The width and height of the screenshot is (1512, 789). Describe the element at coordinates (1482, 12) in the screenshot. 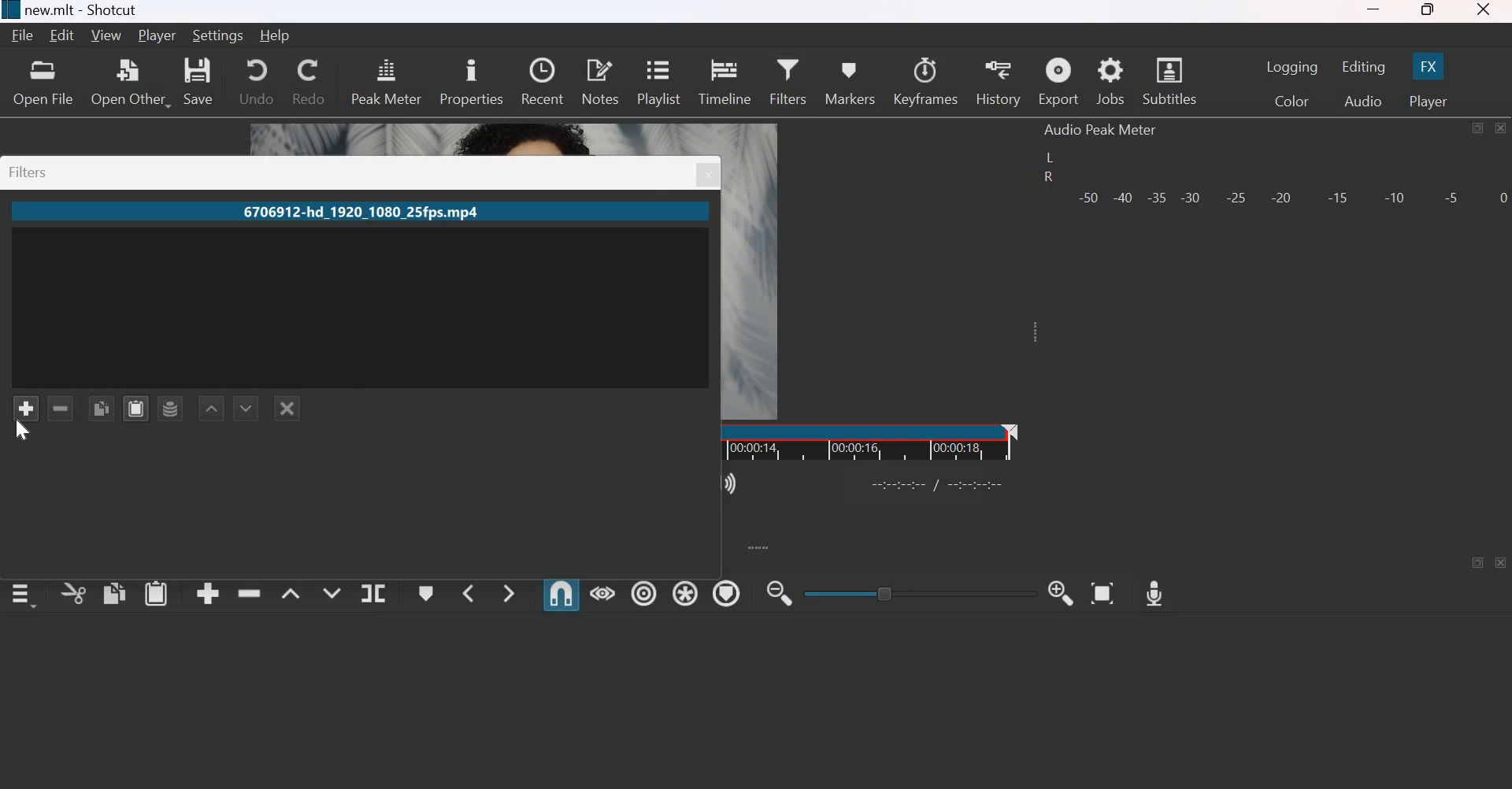

I see `close` at that location.